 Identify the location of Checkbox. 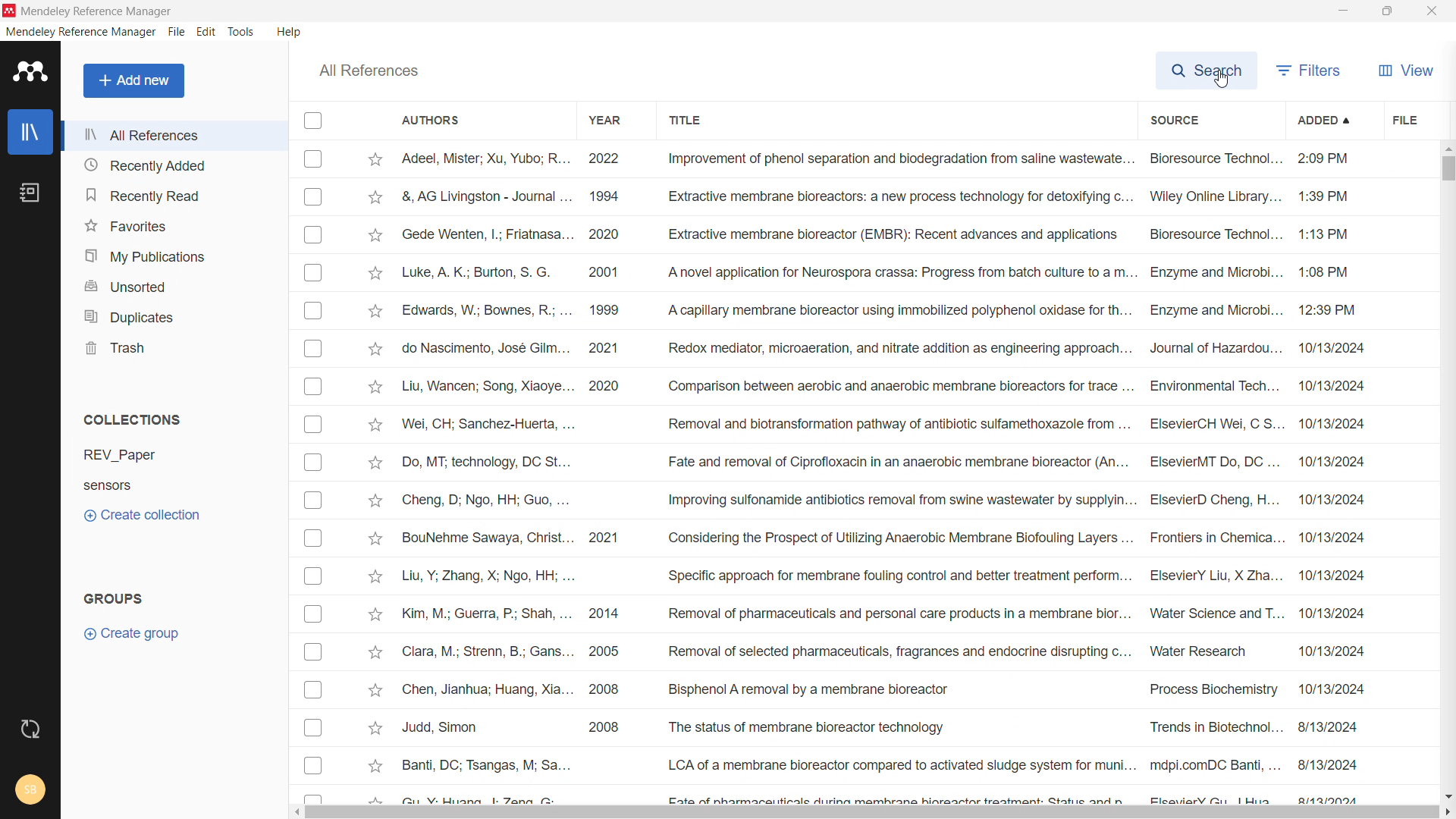
(311, 383).